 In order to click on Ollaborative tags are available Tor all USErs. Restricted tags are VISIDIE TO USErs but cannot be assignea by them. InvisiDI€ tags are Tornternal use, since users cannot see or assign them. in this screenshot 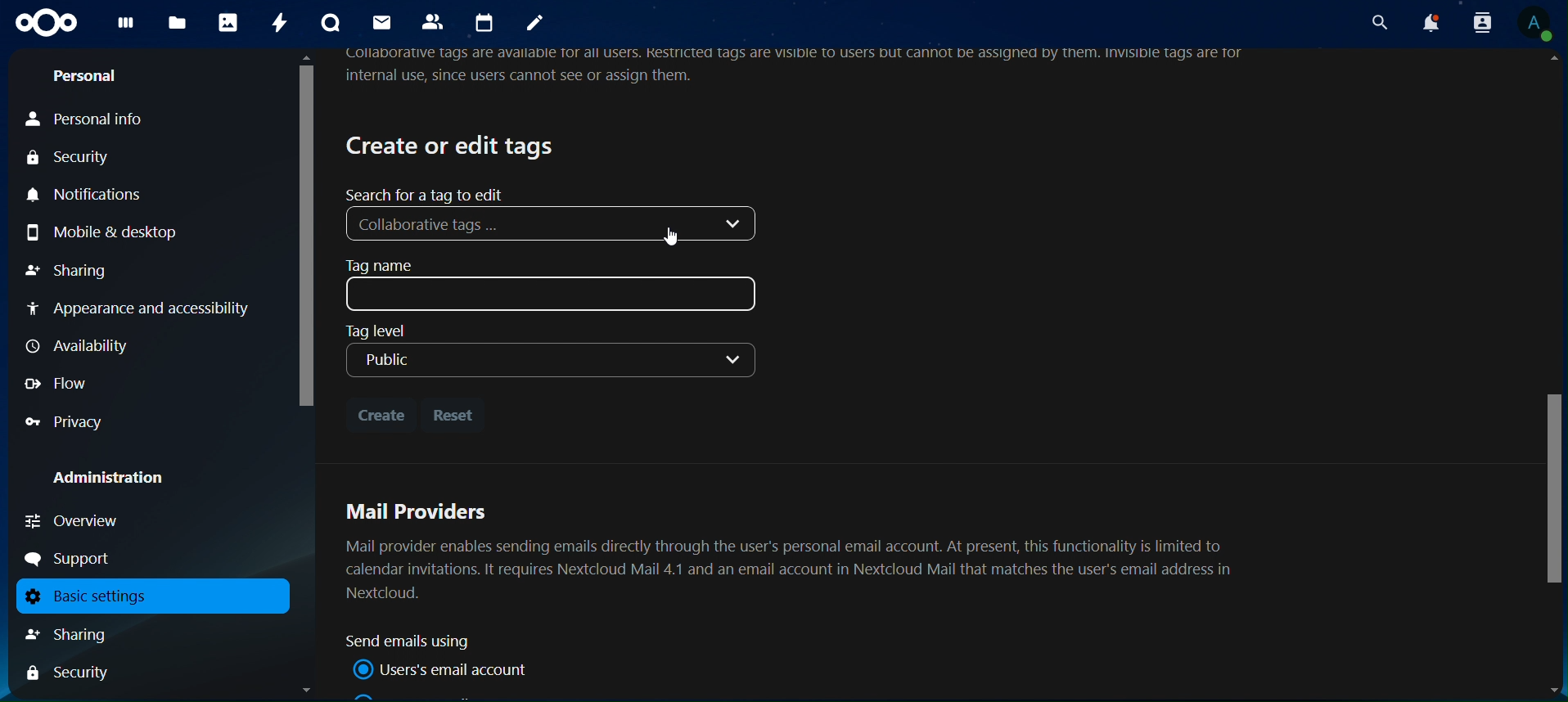, I will do `click(802, 68)`.